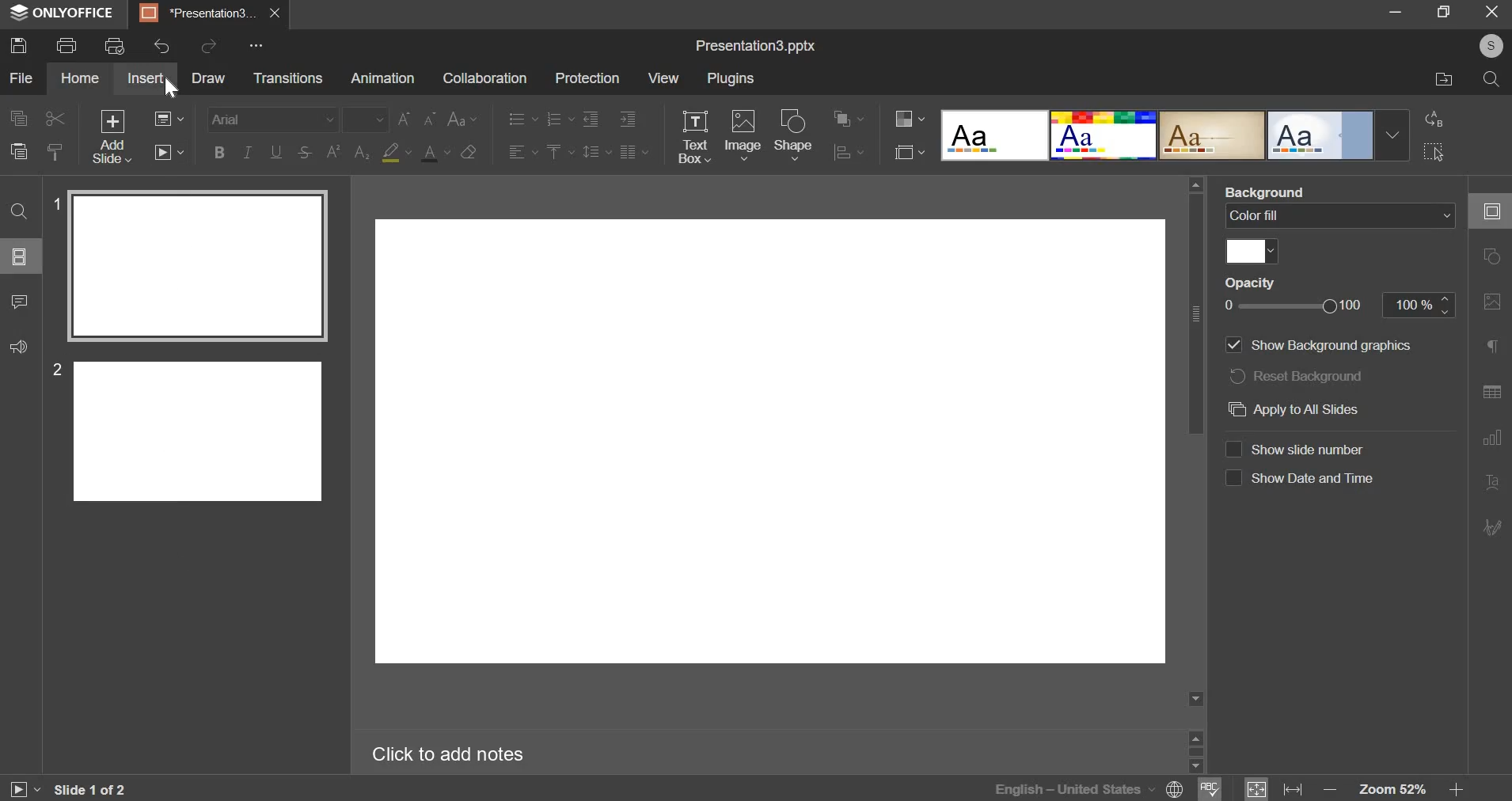 This screenshot has width=1512, height=801. Describe the element at coordinates (382, 78) in the screenshot. I see `animation` at that location.